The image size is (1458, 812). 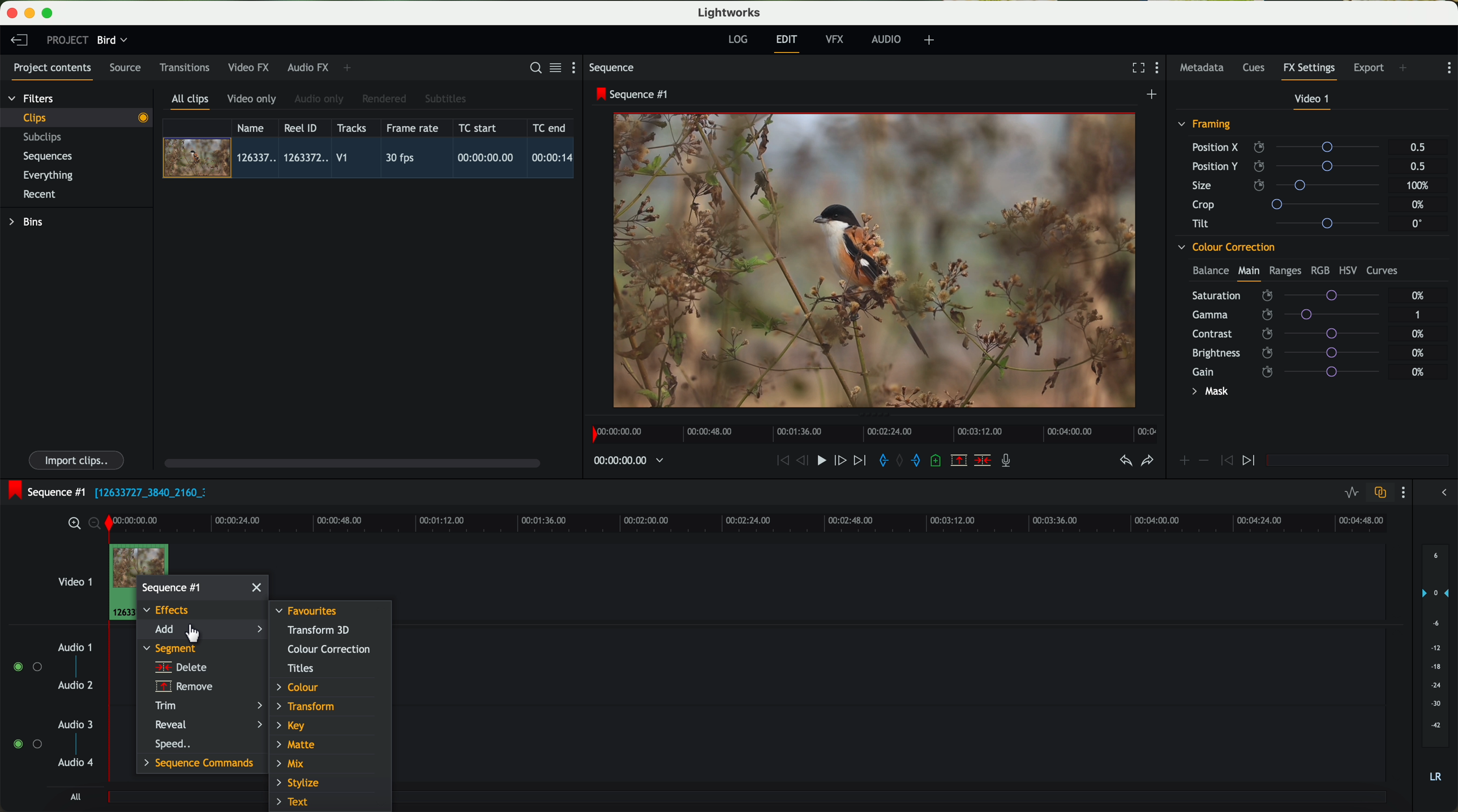 What do you see at coordinates (45, 138) in the screenshot?
I see `subclips` at bounding box center [45, 138].